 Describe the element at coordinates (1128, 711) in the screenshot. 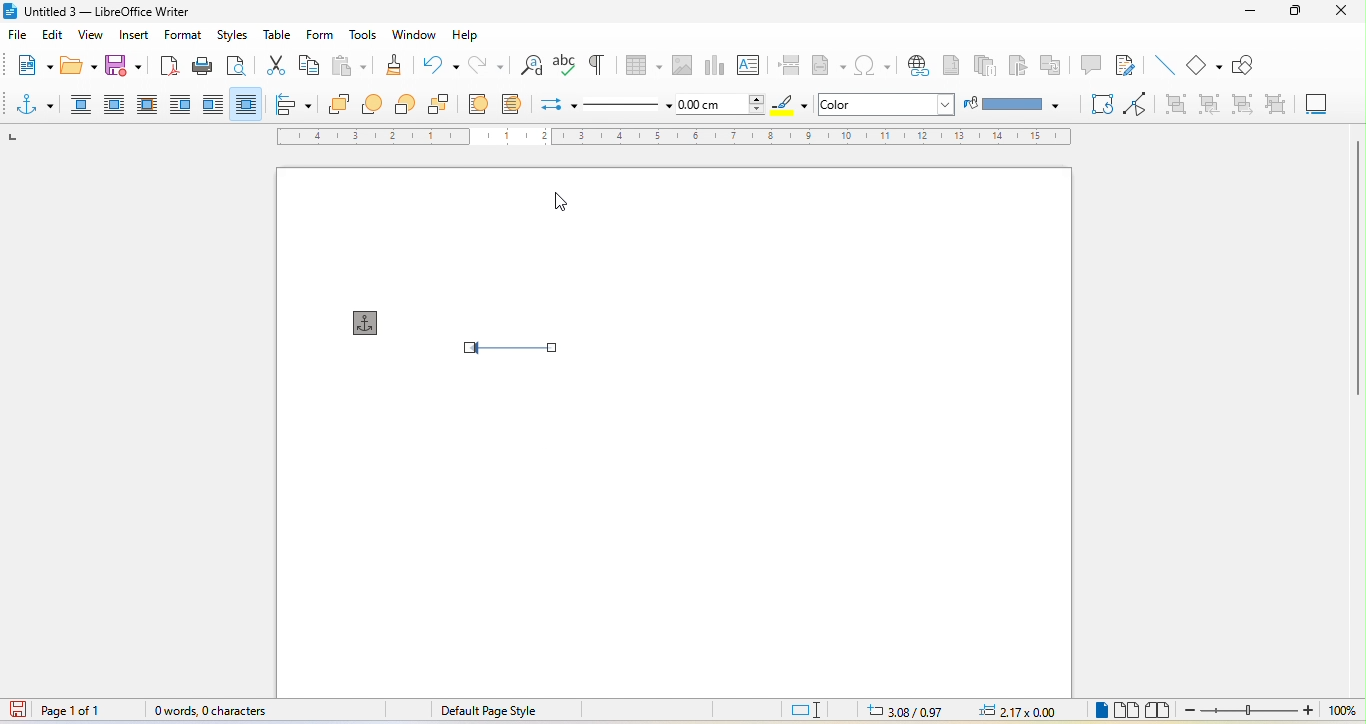

I see `multiple page view` at that location.